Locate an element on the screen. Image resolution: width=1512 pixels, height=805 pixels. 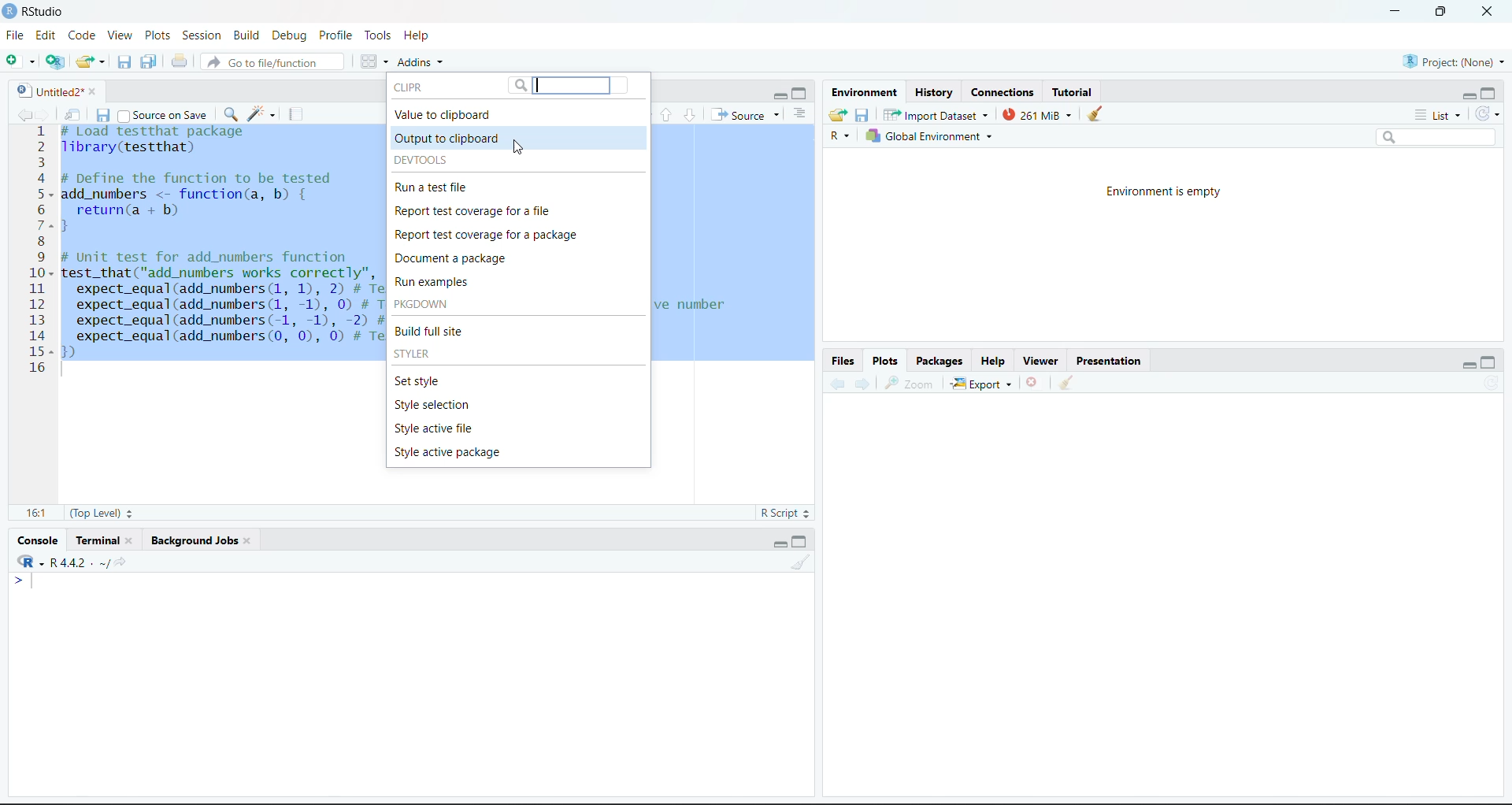
Forward is located at coordinates (862, 382).